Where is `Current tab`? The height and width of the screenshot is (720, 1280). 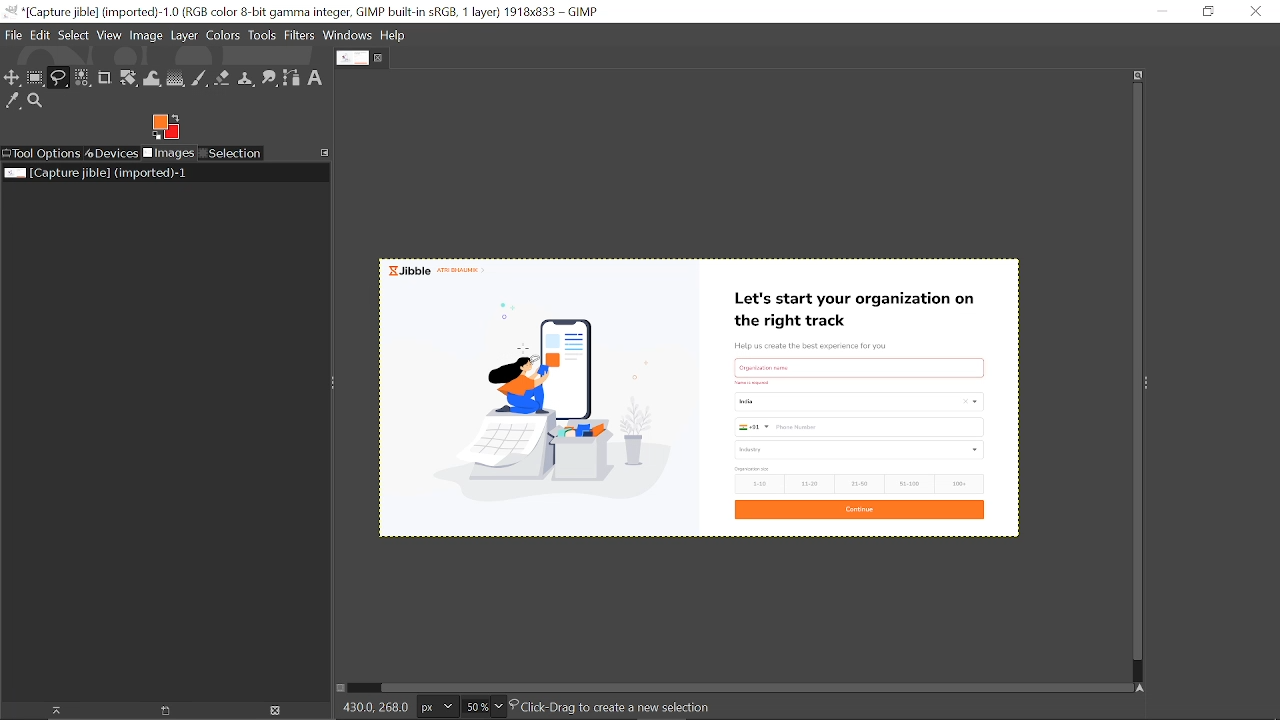
Current tab is located at coordinates (352, 58).